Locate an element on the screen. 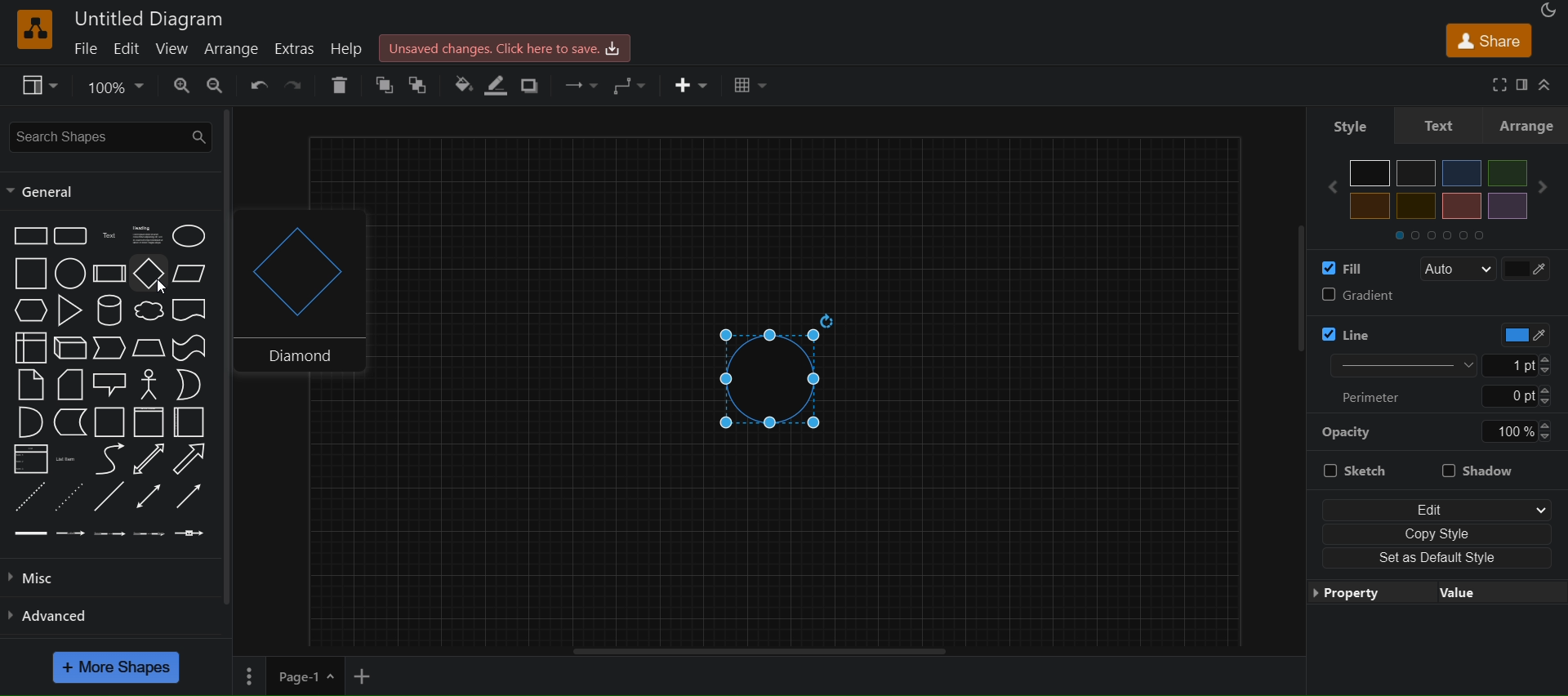 The image size is (1568, 696). shadow is located at coordinates (534, 84).